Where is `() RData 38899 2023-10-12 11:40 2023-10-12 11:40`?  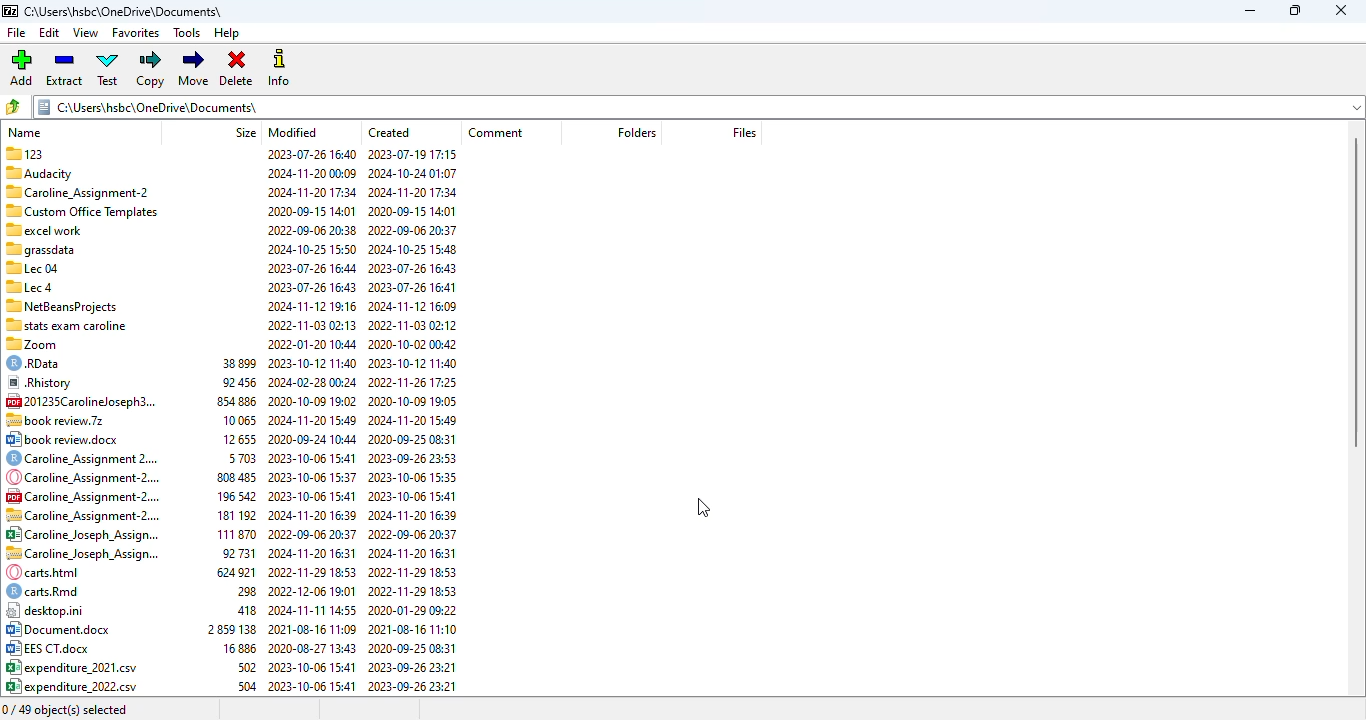
() RData 38899 2023-10-12 11:40 2023-10-12 11:40 is located at coordinates (232, 345).